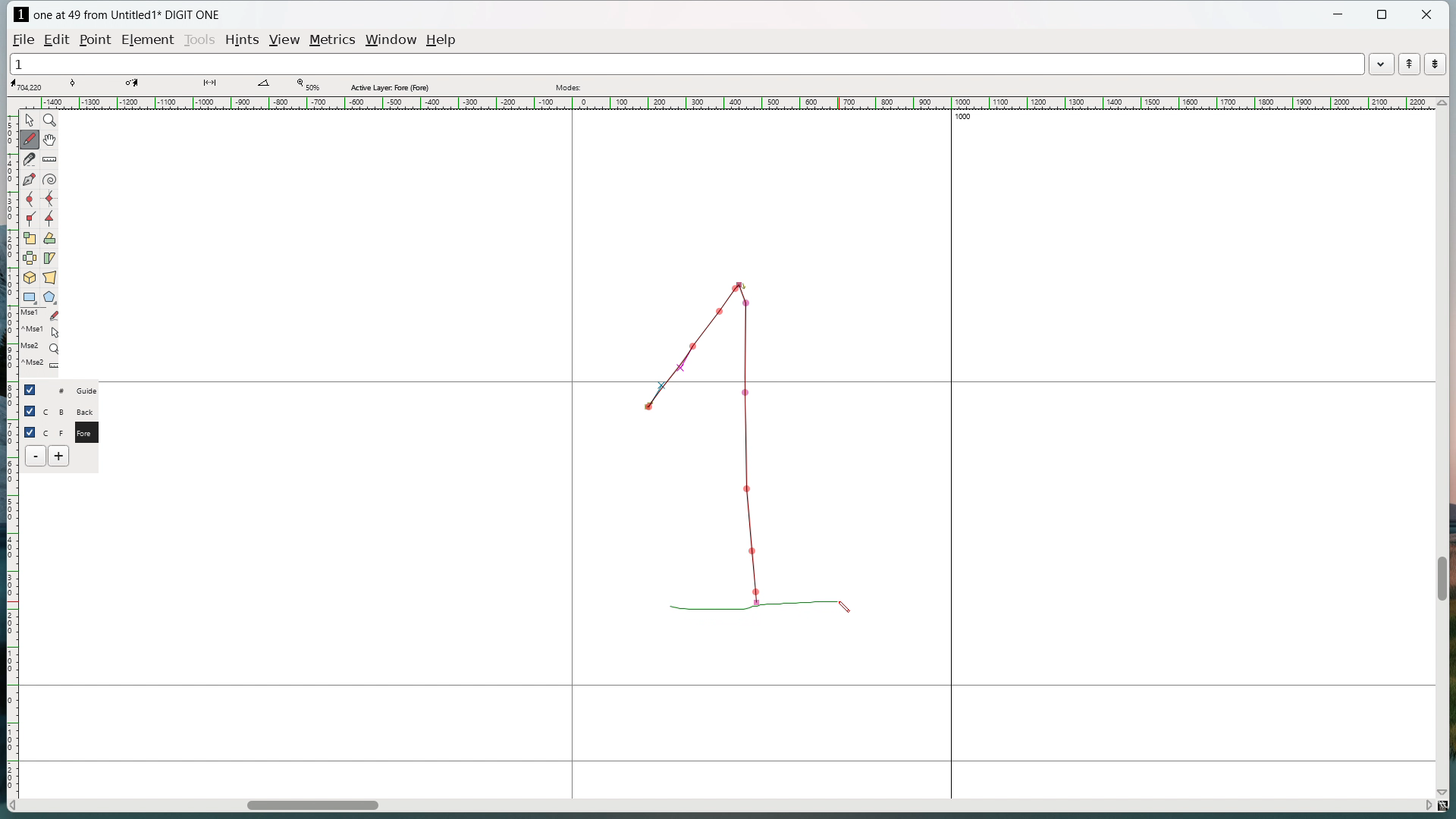  What do you see at coordinates (570, 87) in the screenshot?
I see `modes` at bounding box center [570, 87].